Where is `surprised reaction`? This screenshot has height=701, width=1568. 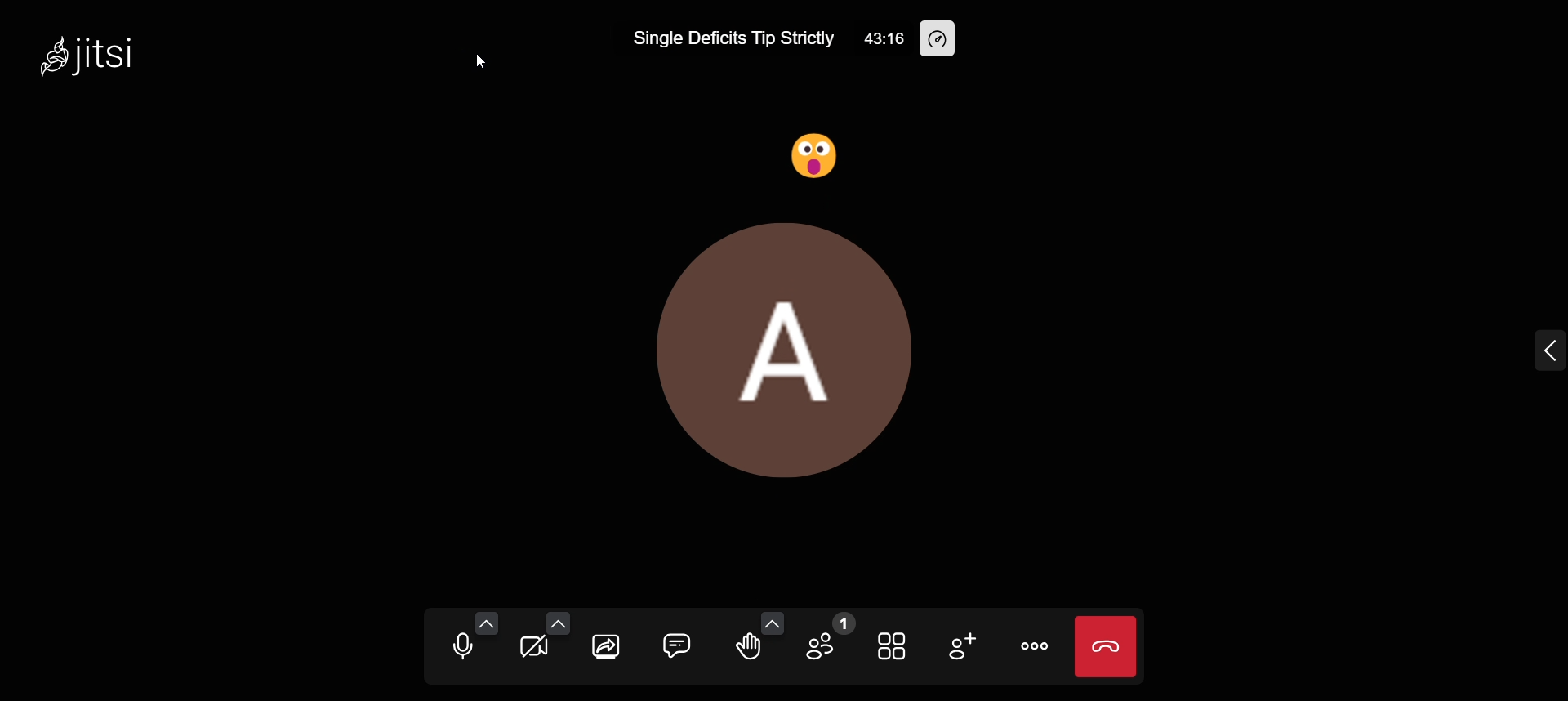
surprised reaction is located at coordinates (822, 150).